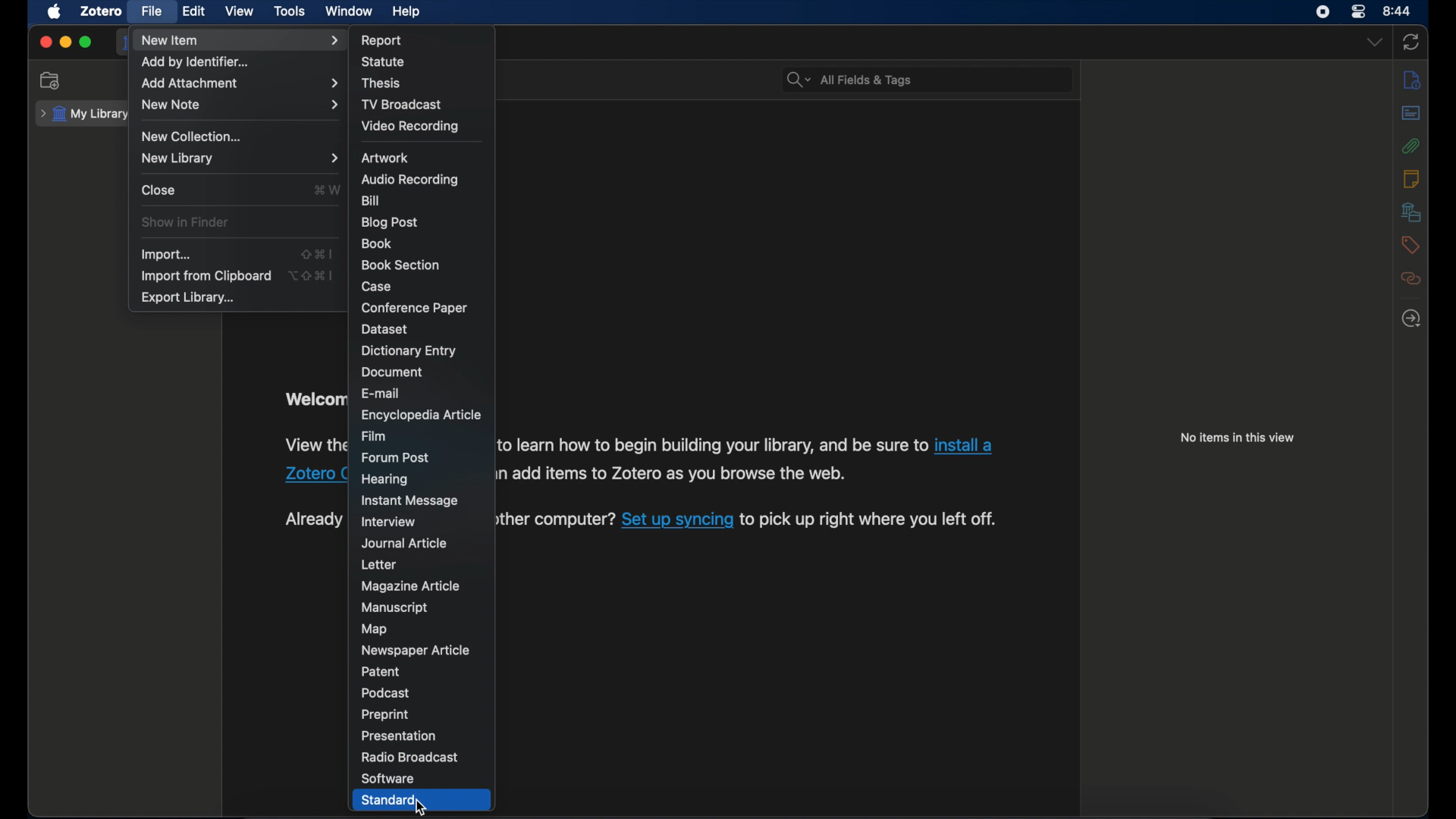 This screenshot has height=819, width=1456. Describe the element at coordinates (240, 158) in the screenshot. I see `new library` at that location.